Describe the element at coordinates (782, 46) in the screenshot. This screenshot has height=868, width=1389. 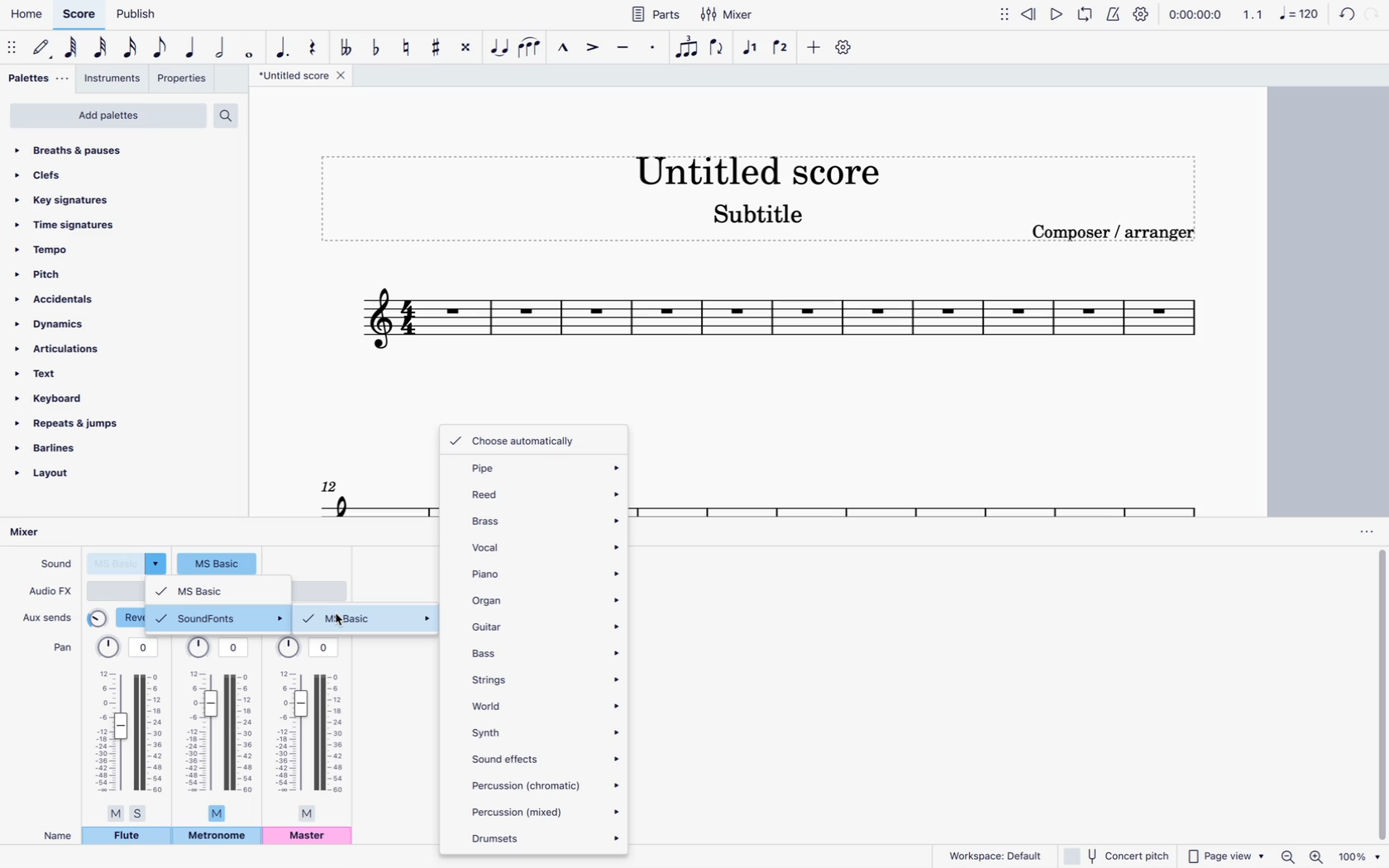
I see `voice 2` at that location.